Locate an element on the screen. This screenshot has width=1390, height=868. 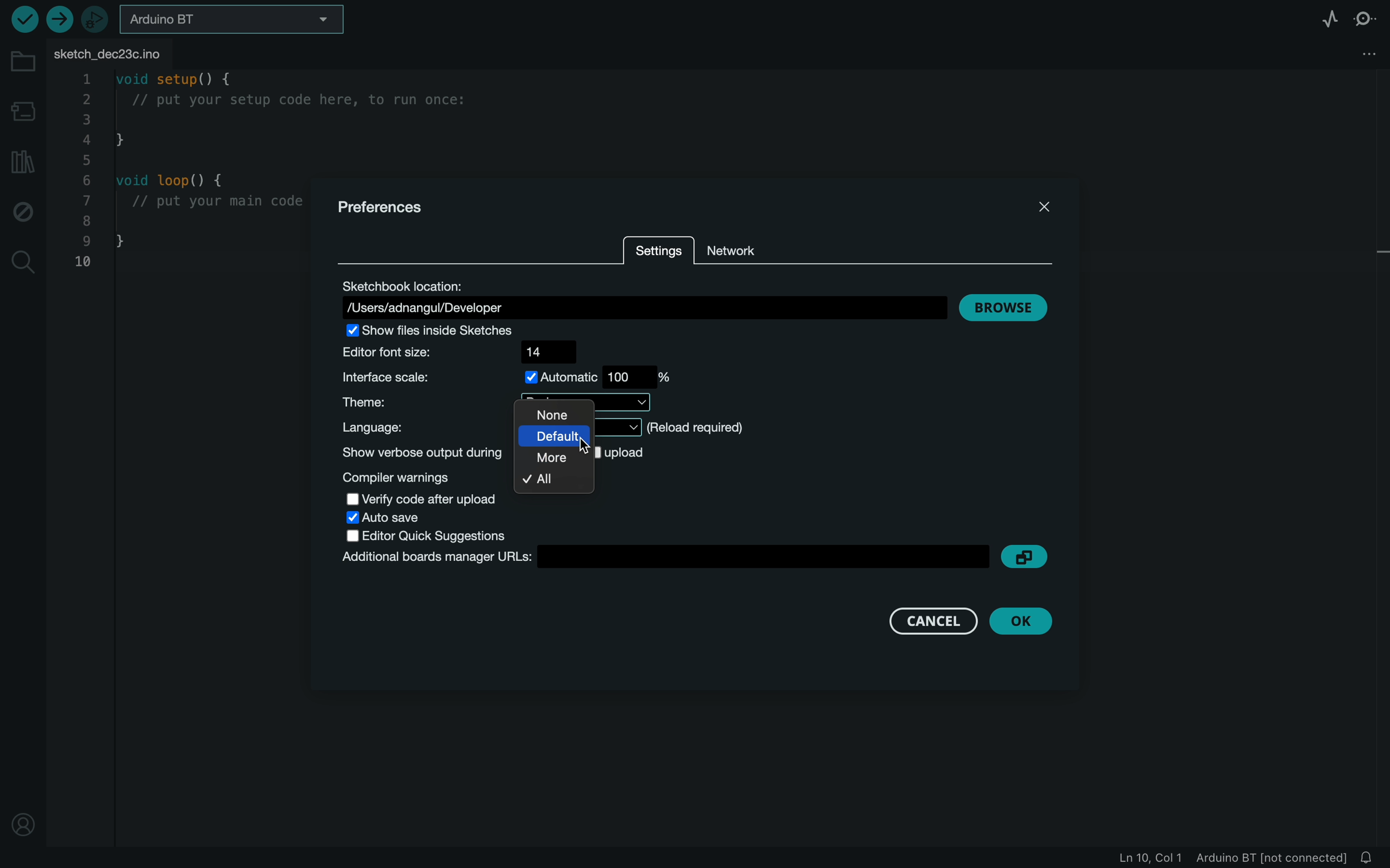
library manager is located at coordinates (24, 165).